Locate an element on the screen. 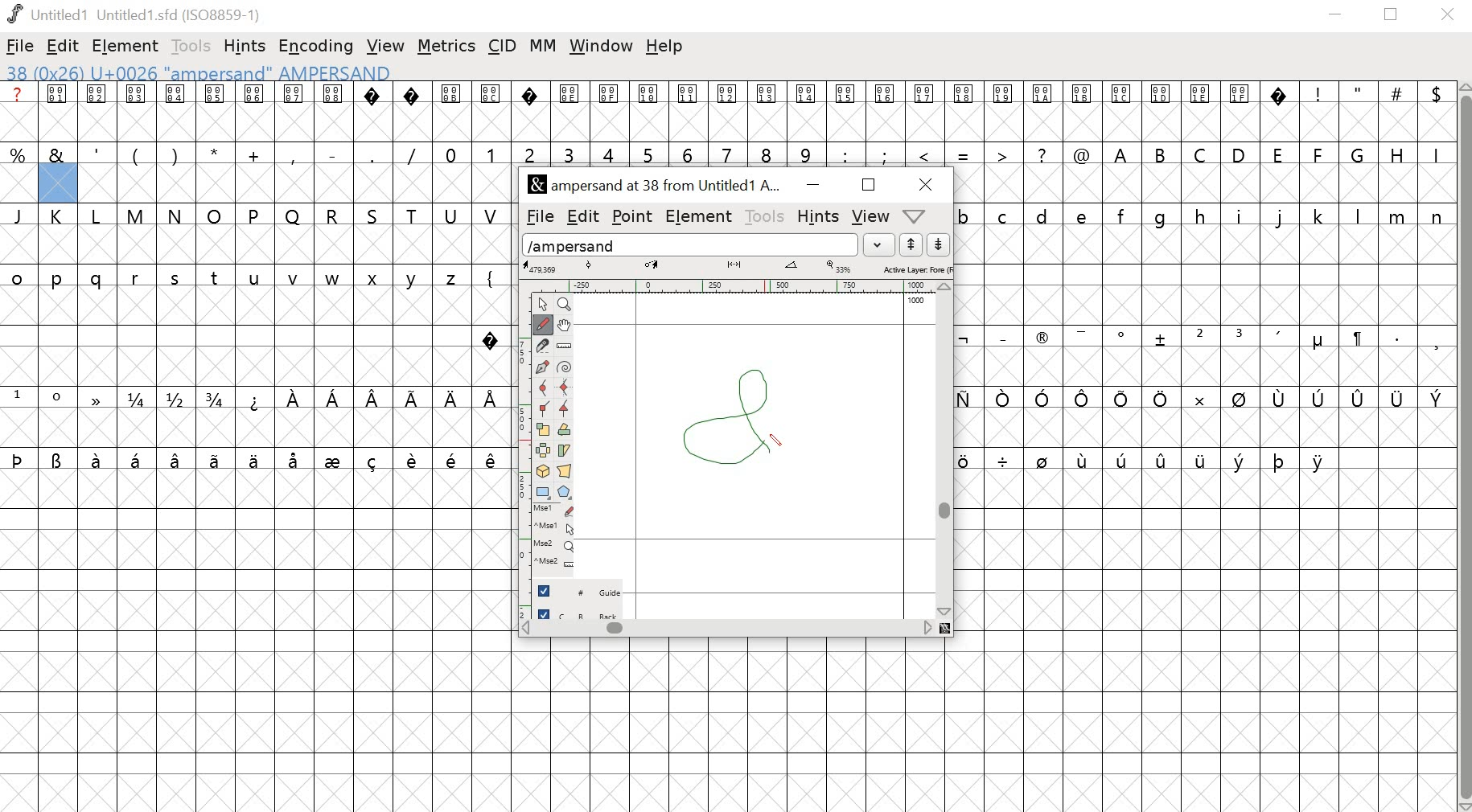  Symbol is located at coordinates (1124, 336).